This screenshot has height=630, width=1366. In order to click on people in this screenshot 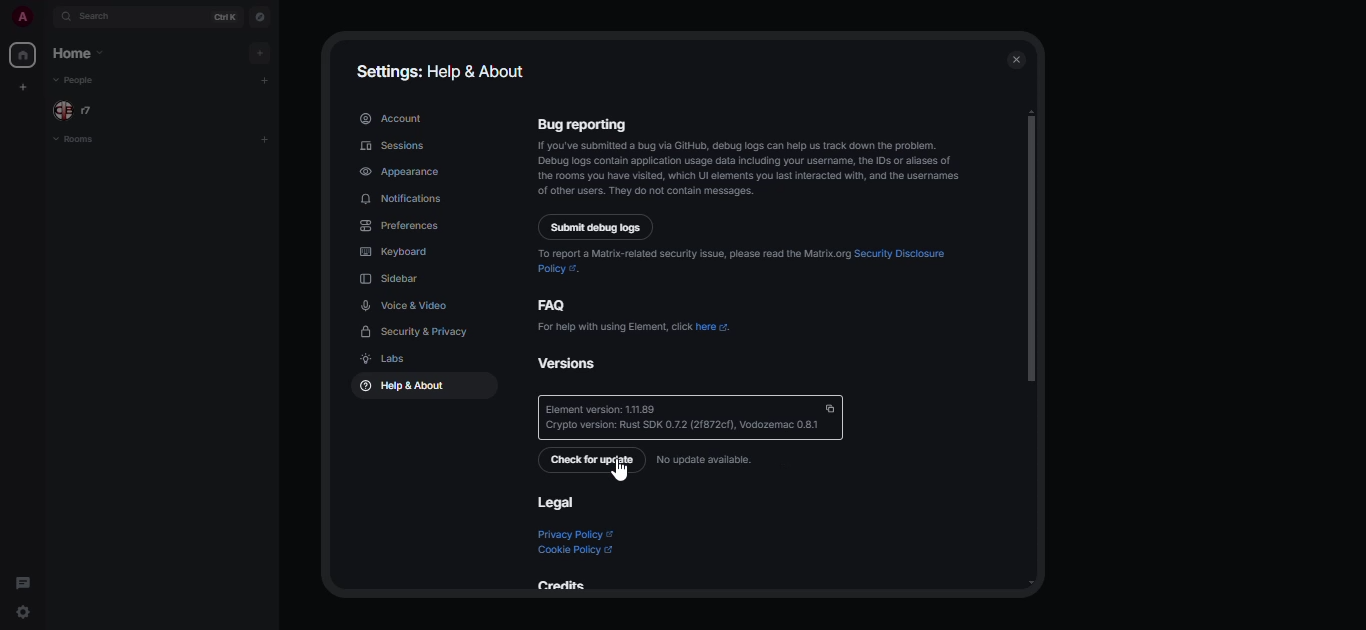, I will do `click(74, 80)`.